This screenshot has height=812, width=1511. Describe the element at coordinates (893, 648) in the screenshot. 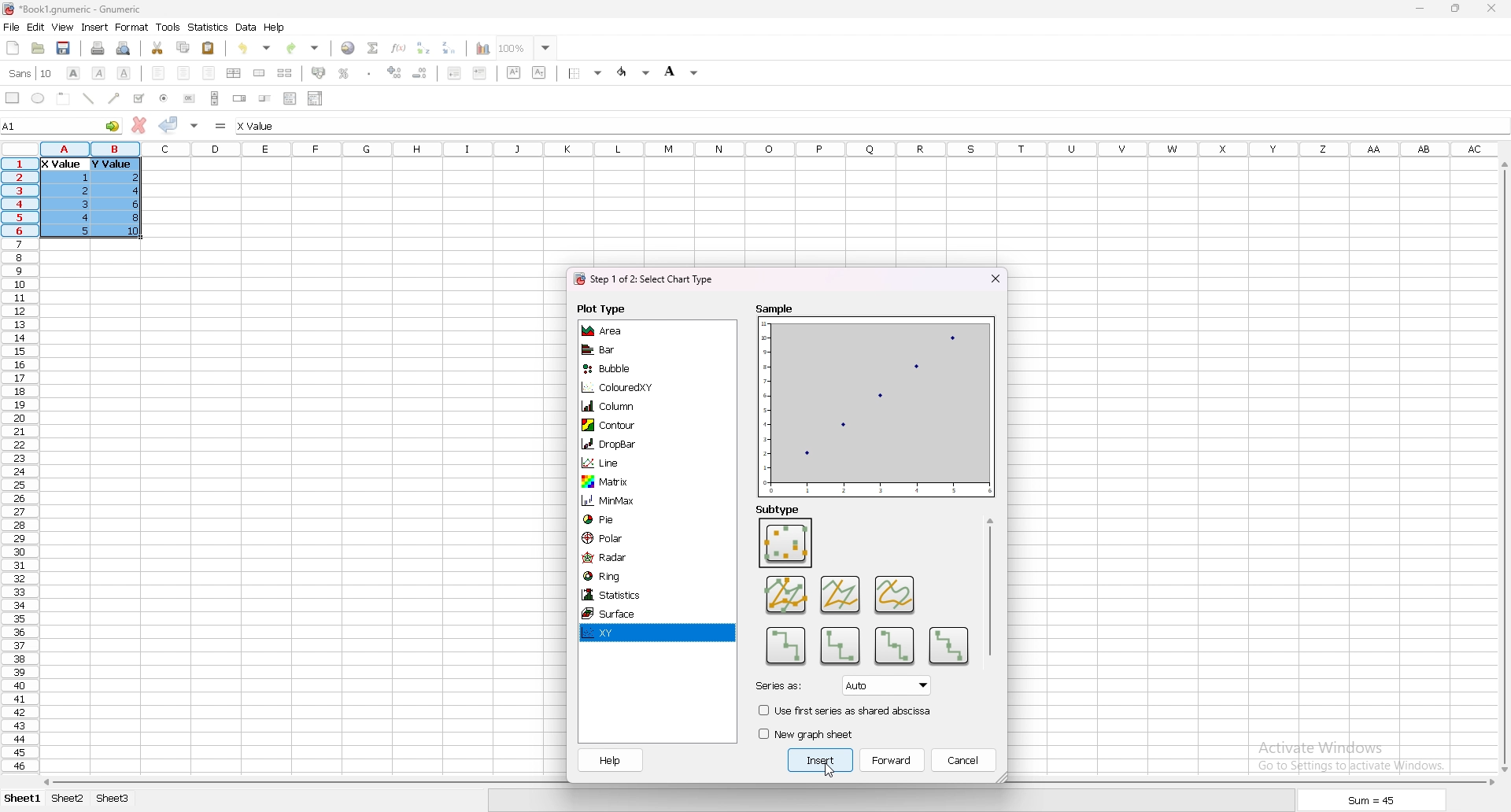

I see `subtype` at that location.